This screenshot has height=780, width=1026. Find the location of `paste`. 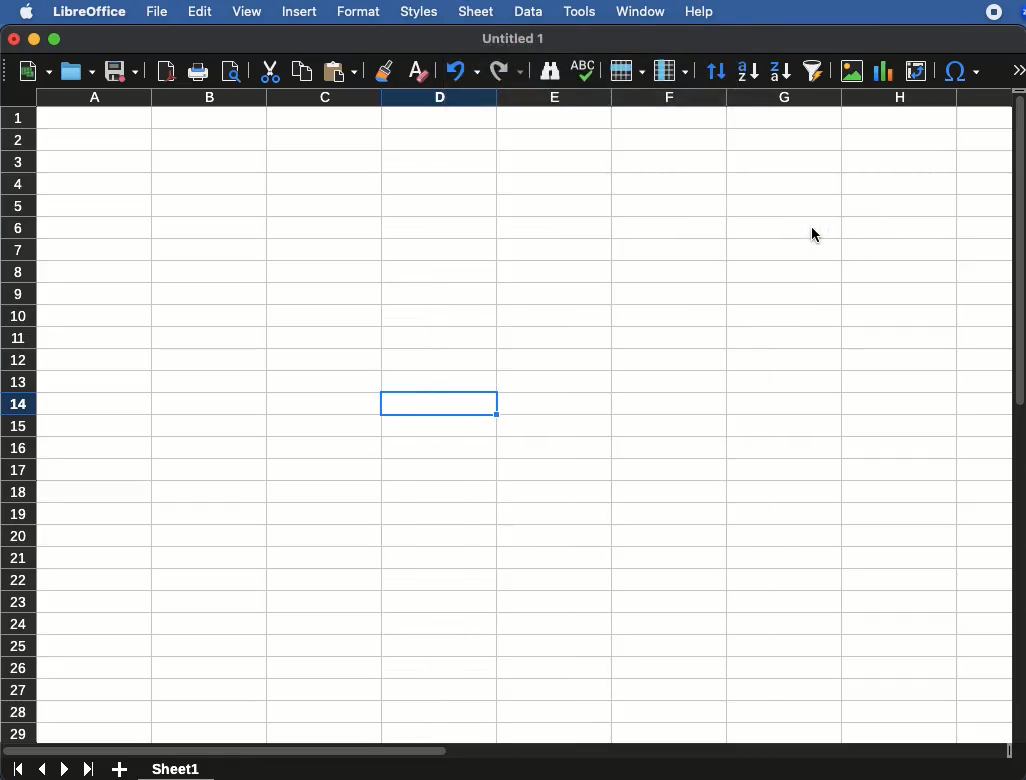

paste is located at coordinates (343, 70).